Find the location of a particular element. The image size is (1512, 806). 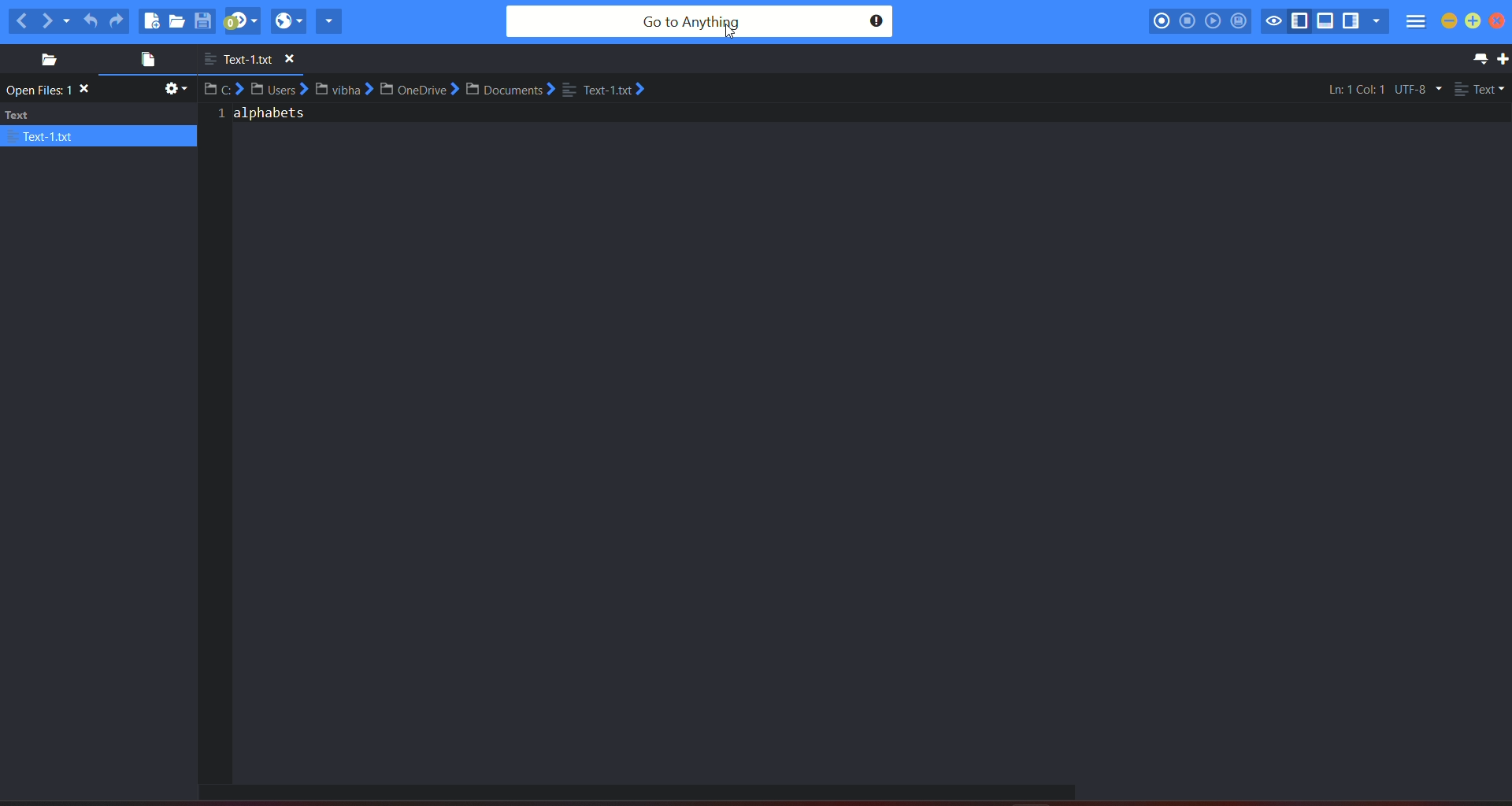

open file is located at coordinates (178, 22).